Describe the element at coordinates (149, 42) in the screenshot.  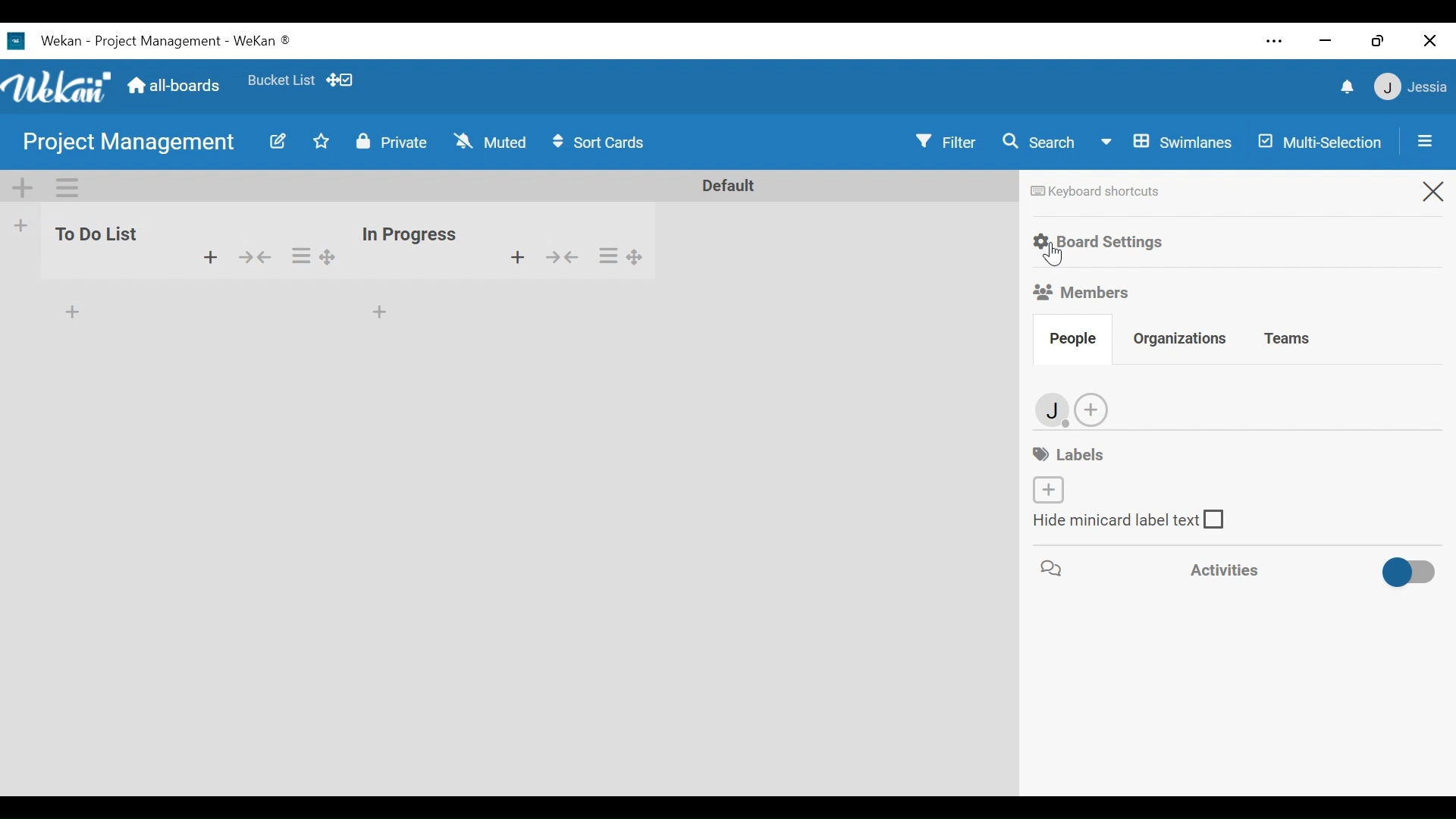
I see `Wekan Desktop Icon` at that location.